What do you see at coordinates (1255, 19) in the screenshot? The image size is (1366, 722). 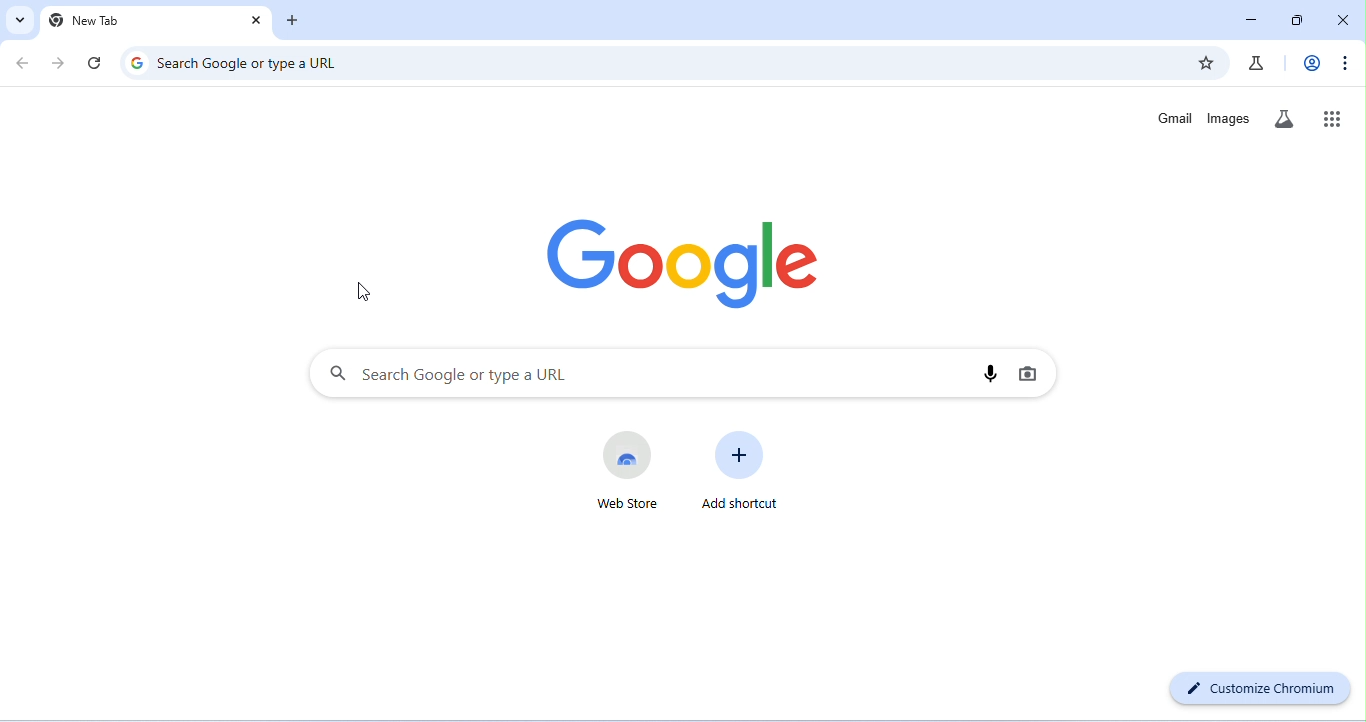 I see `minimize` at bounding box center [1255, 19].